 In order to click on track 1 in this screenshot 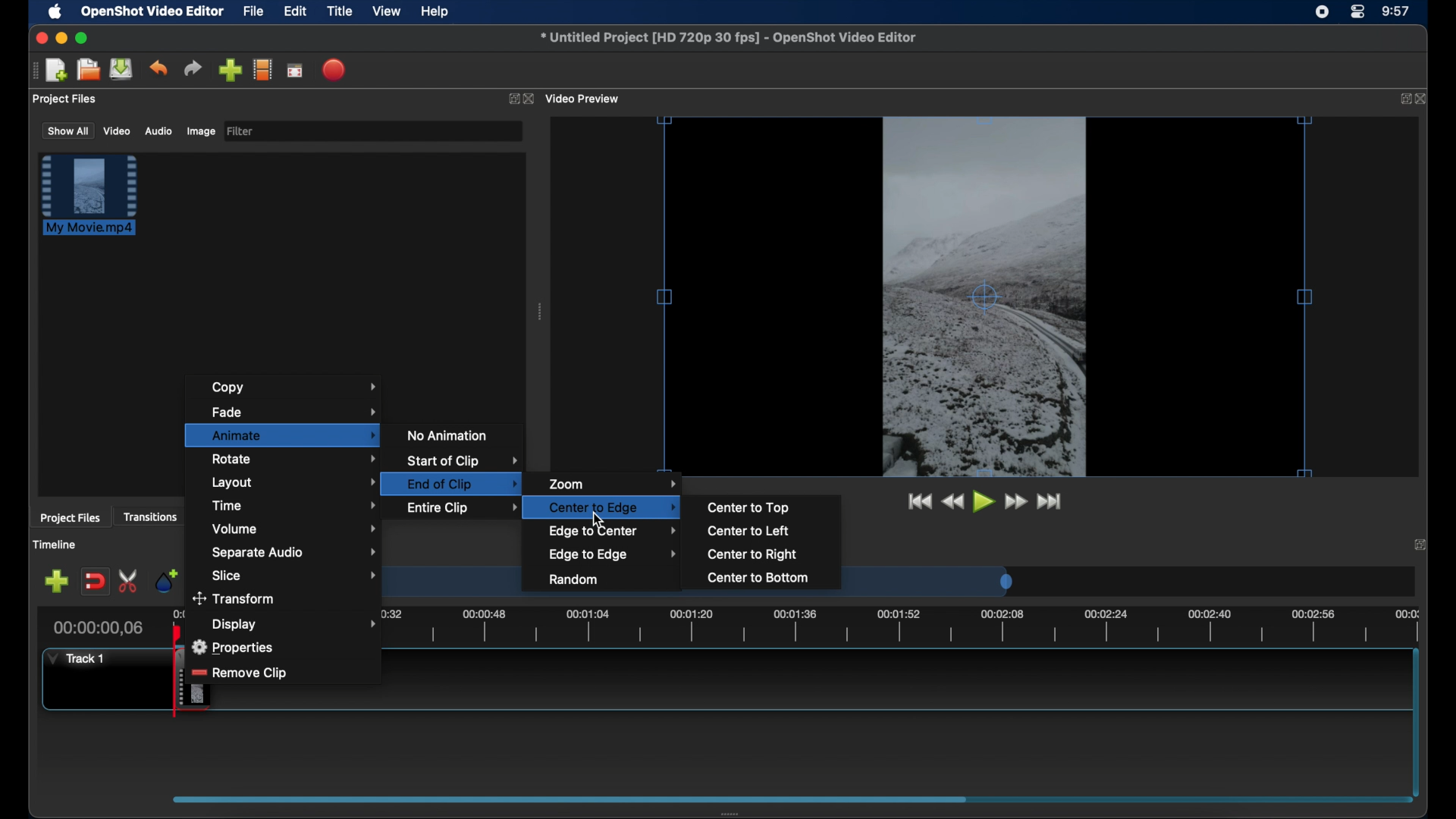, I will do `click(80, 658)`.